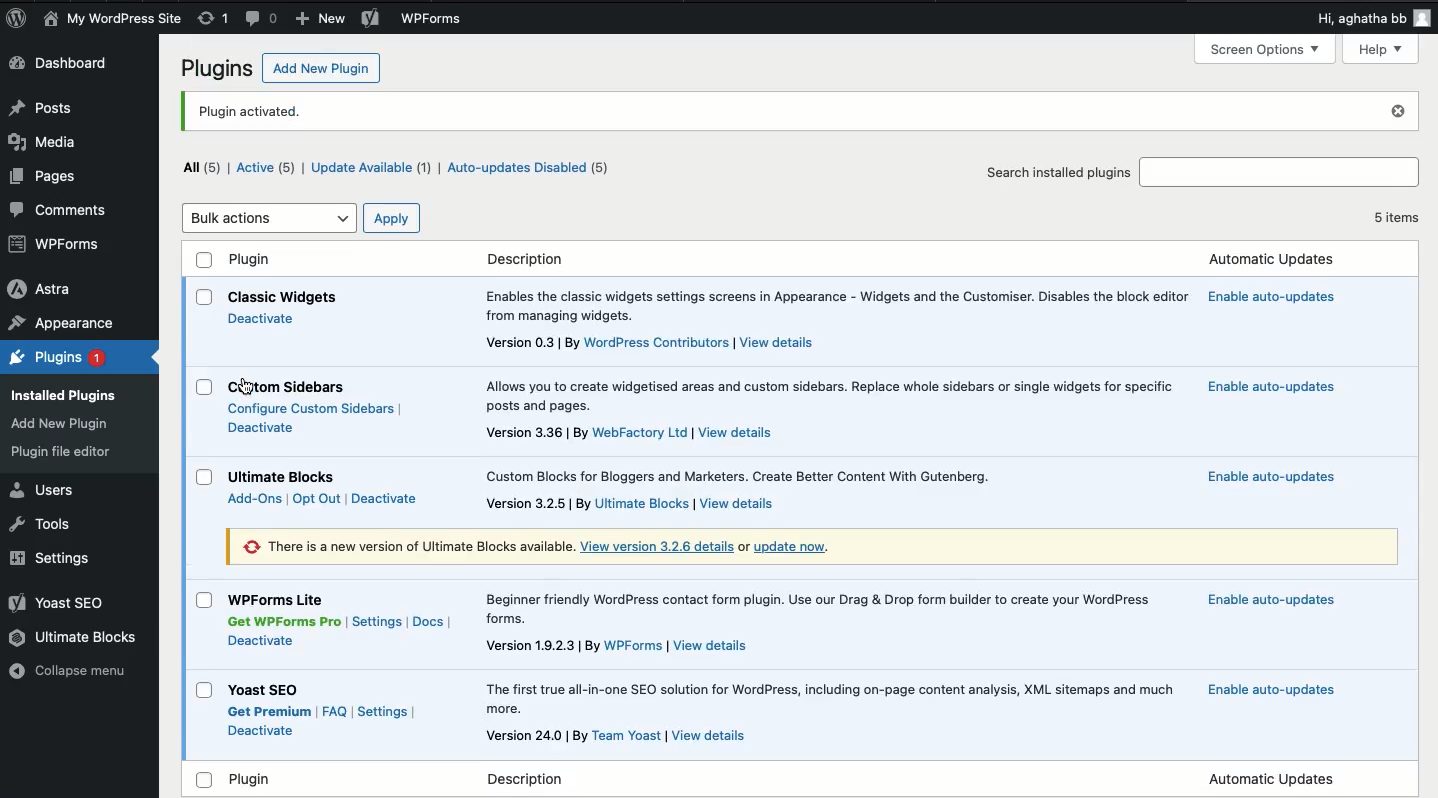 The height and width of the screenshot is (798, 1438). What do you see at coordinates (262, 321) in the screenshot?
I see `deactivate` at bounding box center [262, 321].